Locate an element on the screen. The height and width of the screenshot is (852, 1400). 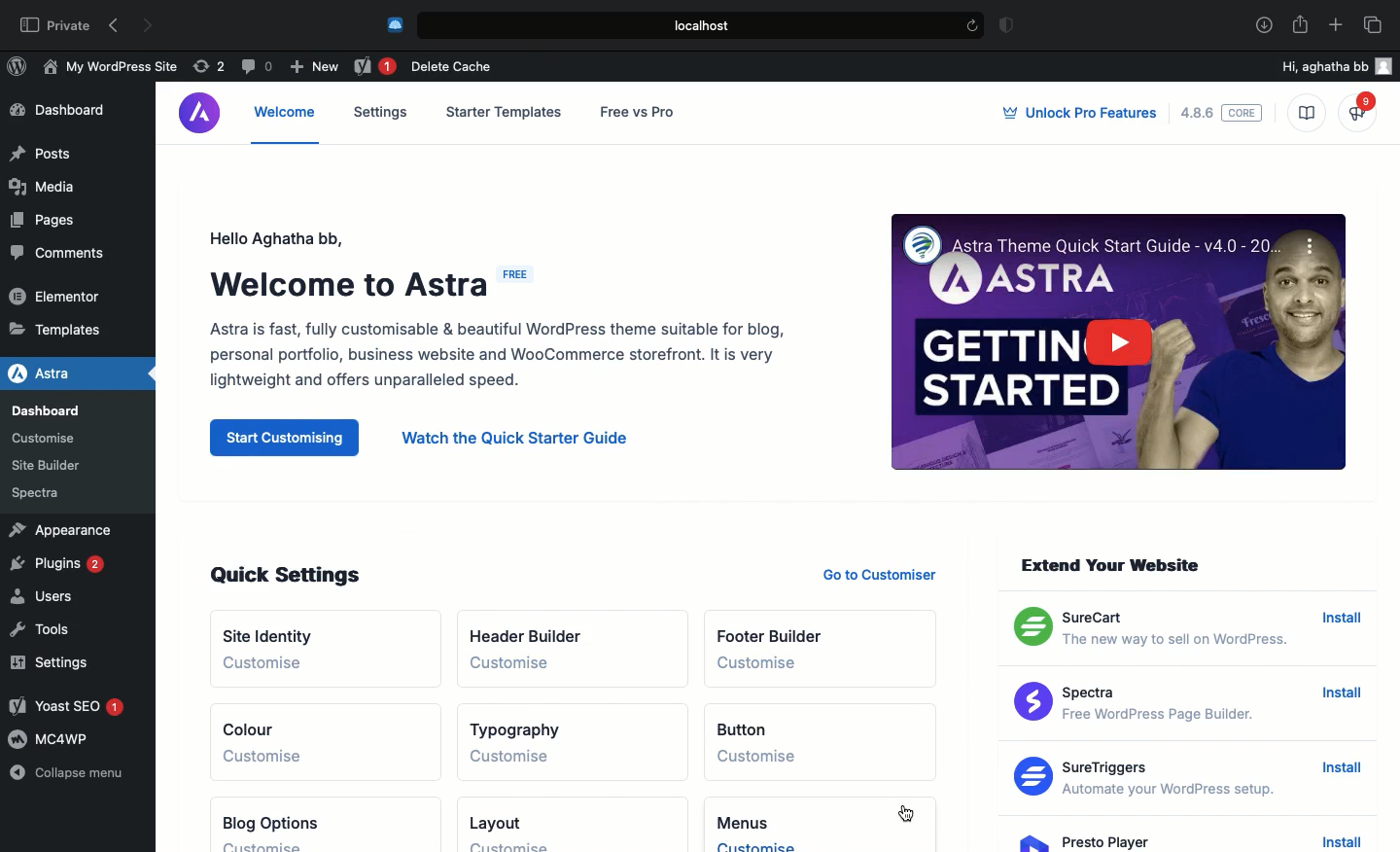
Presto Player is located at coordinates (1093, 839).